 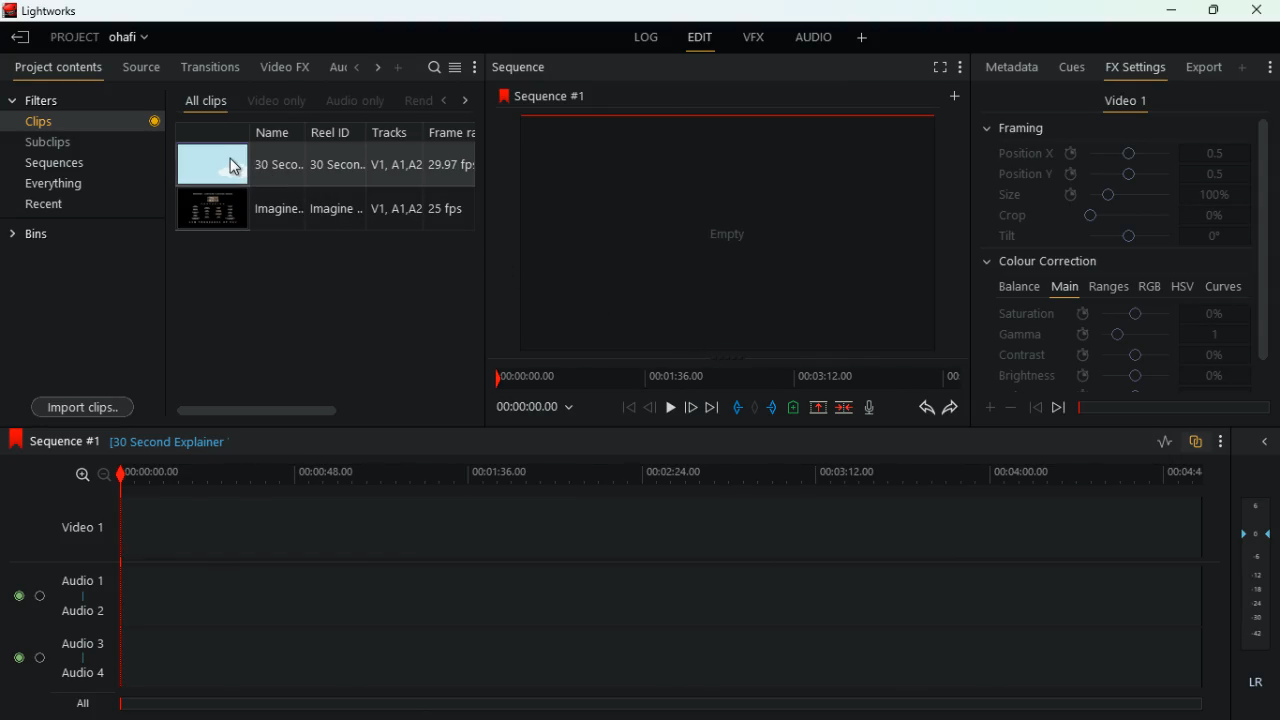 What do you see at coordinates (90, 475) in the screenshot?
I see `zoom` at bounding box center [90, 475].